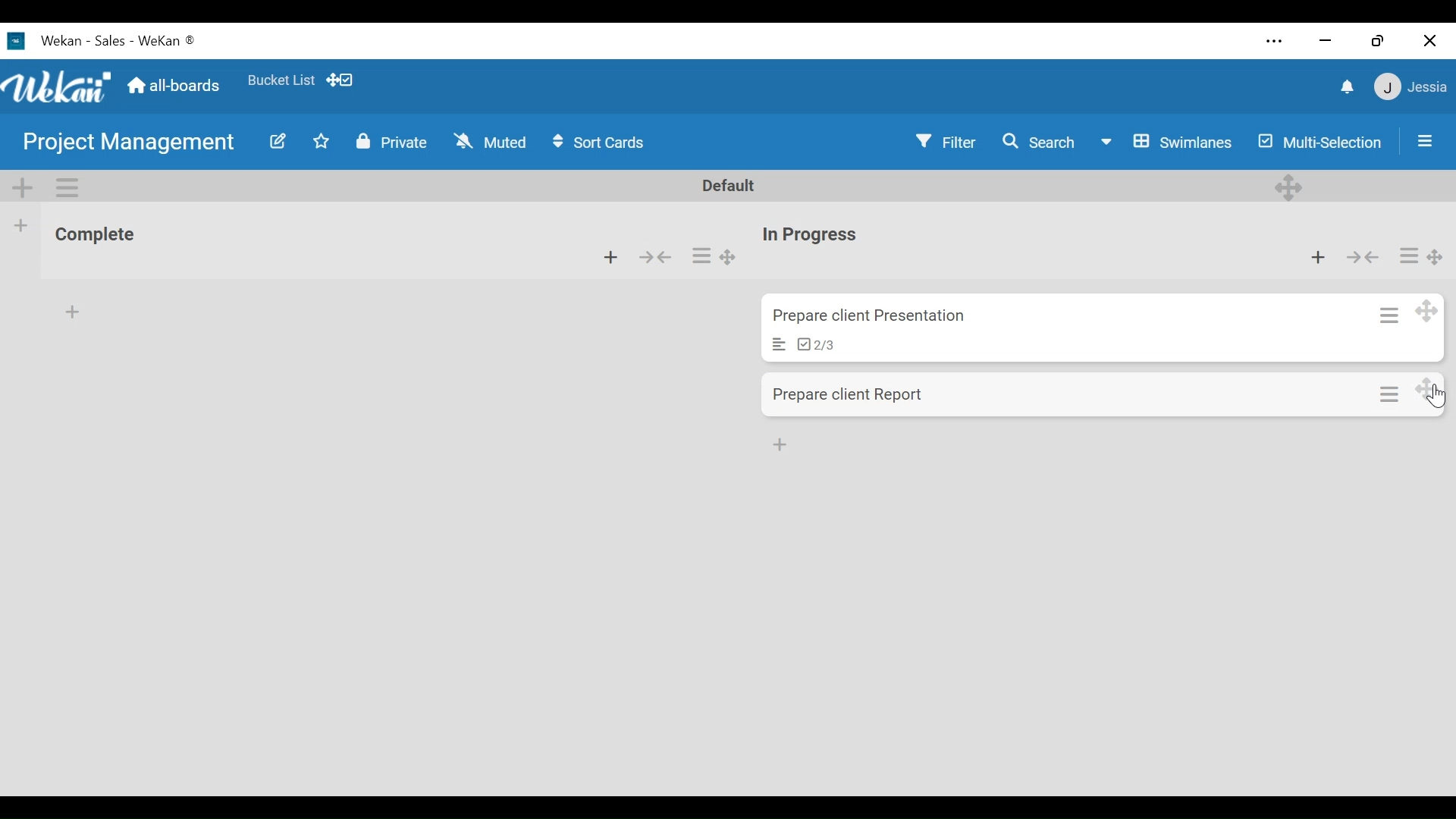 Image resolution: width=1456 pixels, height=819 pixels. What do you see at coordinates (1041, 143) in the screenshot?
I see `Search` at bounding box center [1041, 143].